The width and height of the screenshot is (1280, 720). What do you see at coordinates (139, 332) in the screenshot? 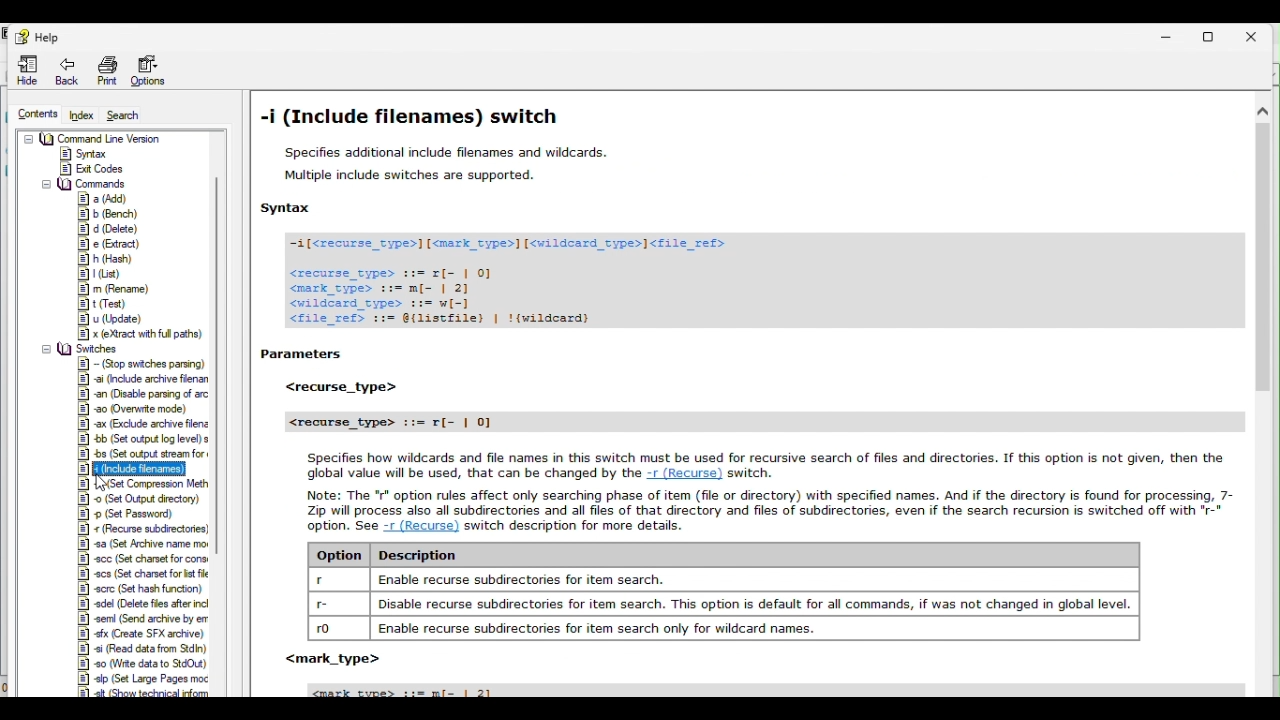
I see `extract` at bounding box center [139, 332].